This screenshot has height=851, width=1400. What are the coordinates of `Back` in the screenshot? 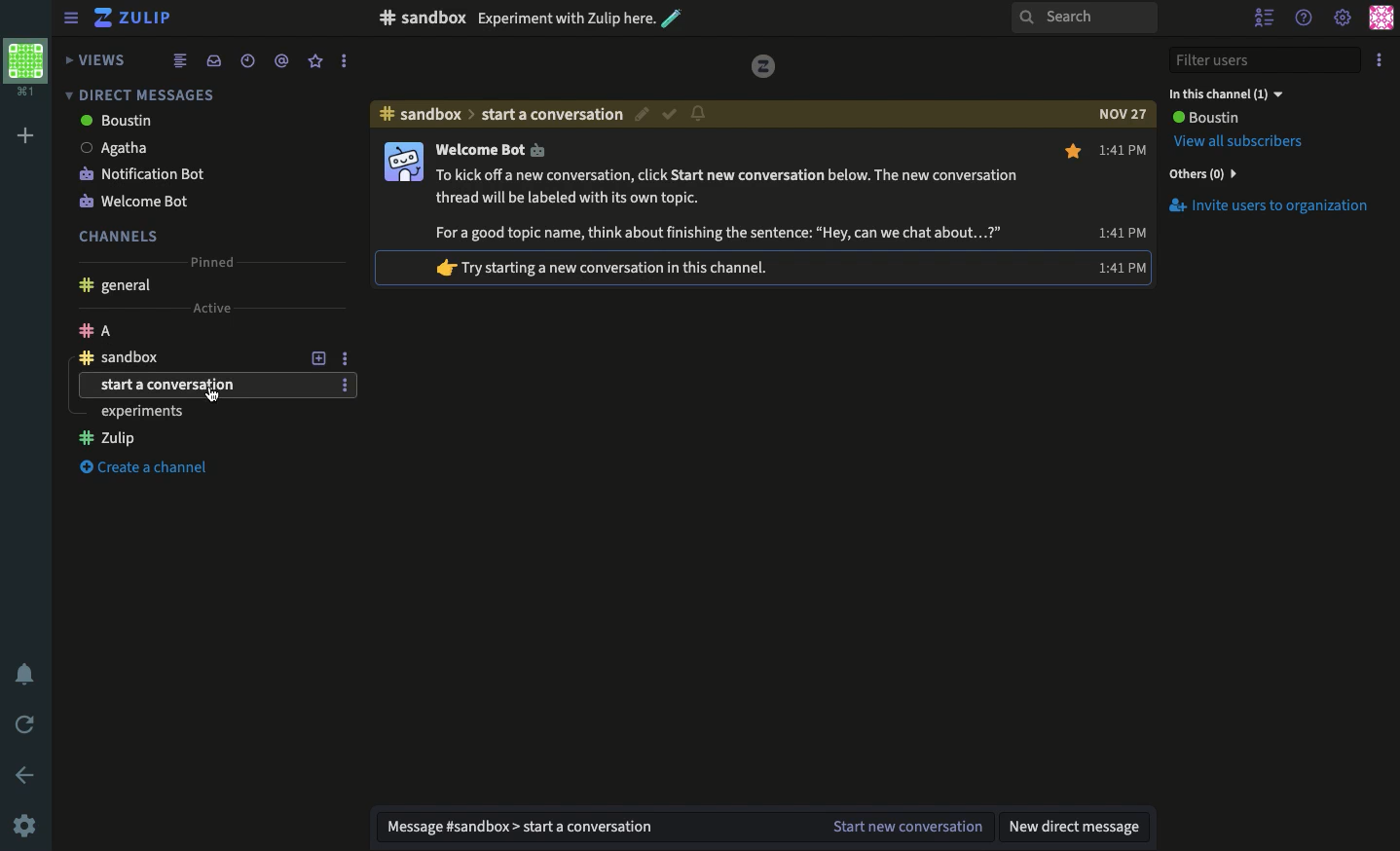 It's located at (27, 775).